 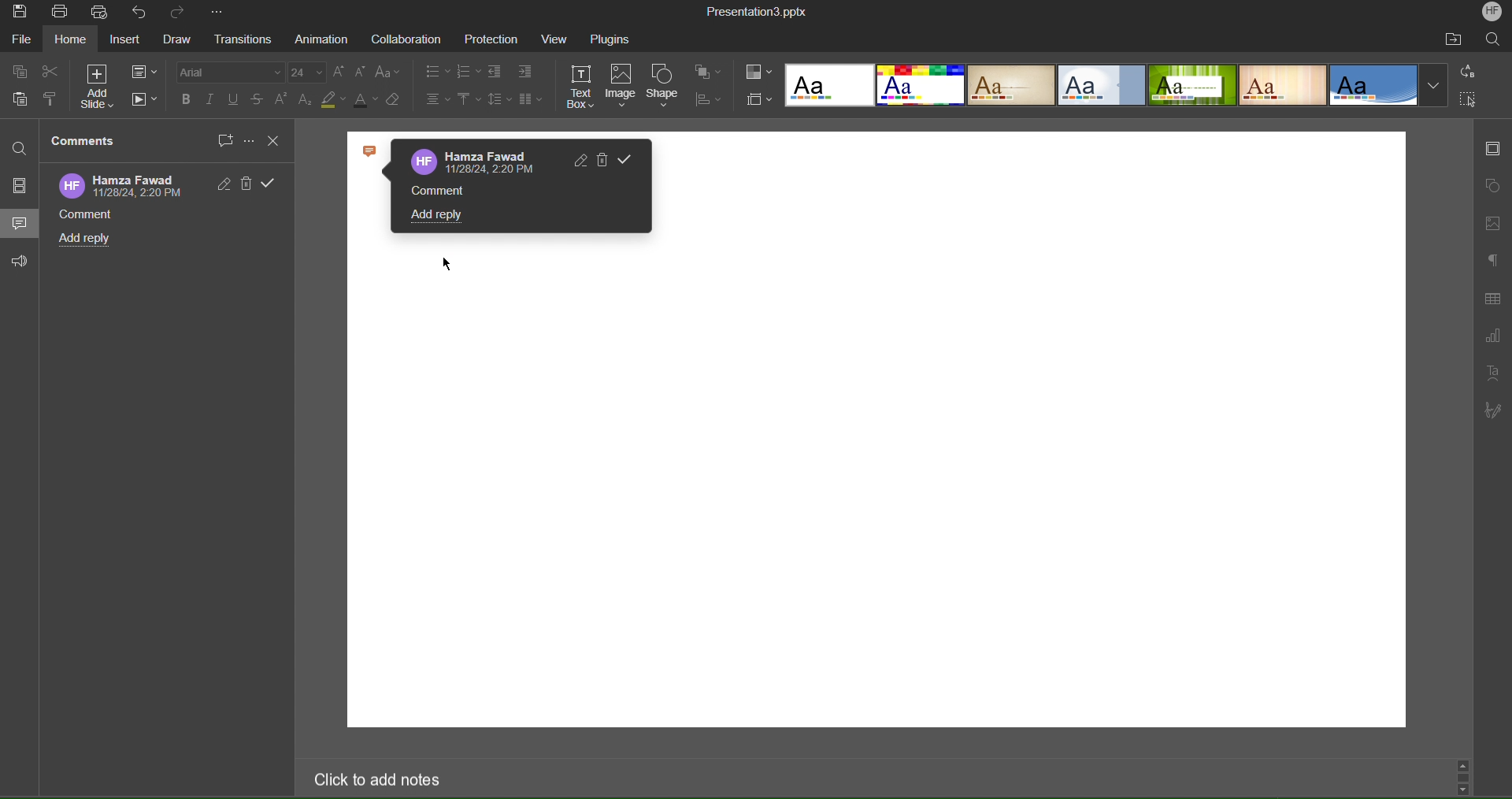 What do you see at coordinates (101, 13) in the screenshot?
I see `Quick Print` at bounding box center [101, 13].